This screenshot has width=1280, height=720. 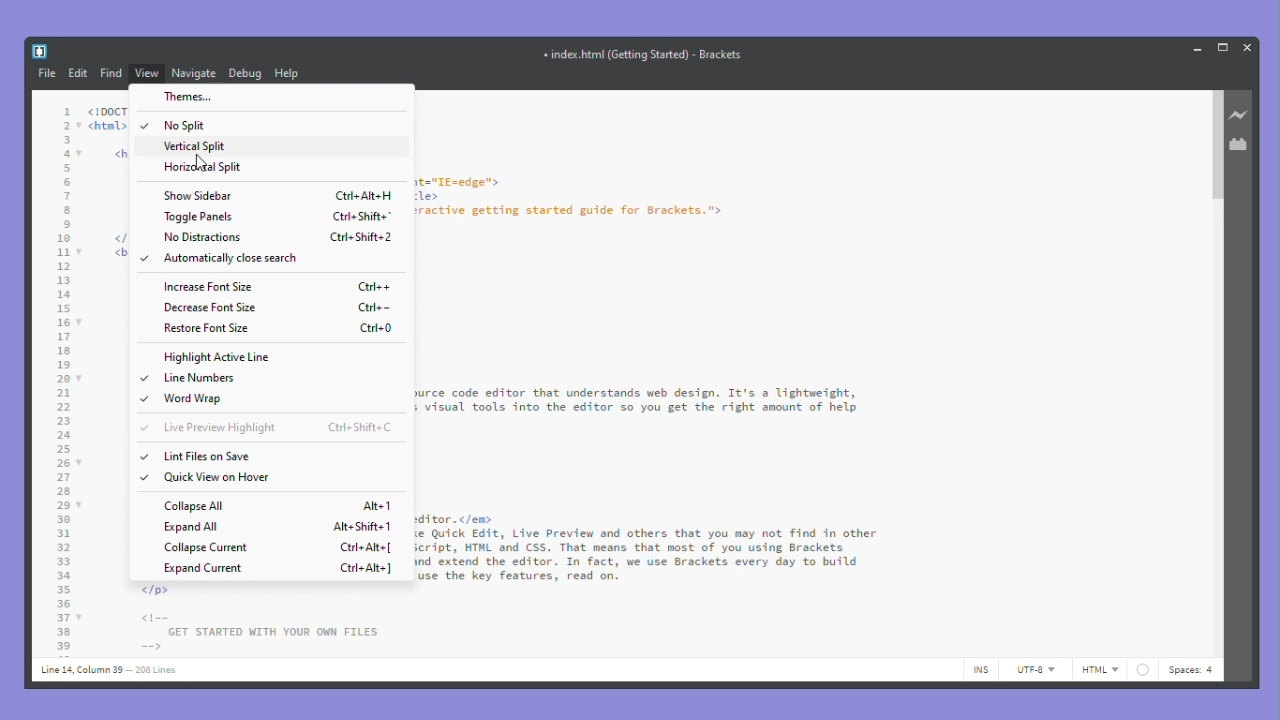 What do you see at coordinates (67, 210) in the screenshot?
I see `8` at bounding box center [67, 210].